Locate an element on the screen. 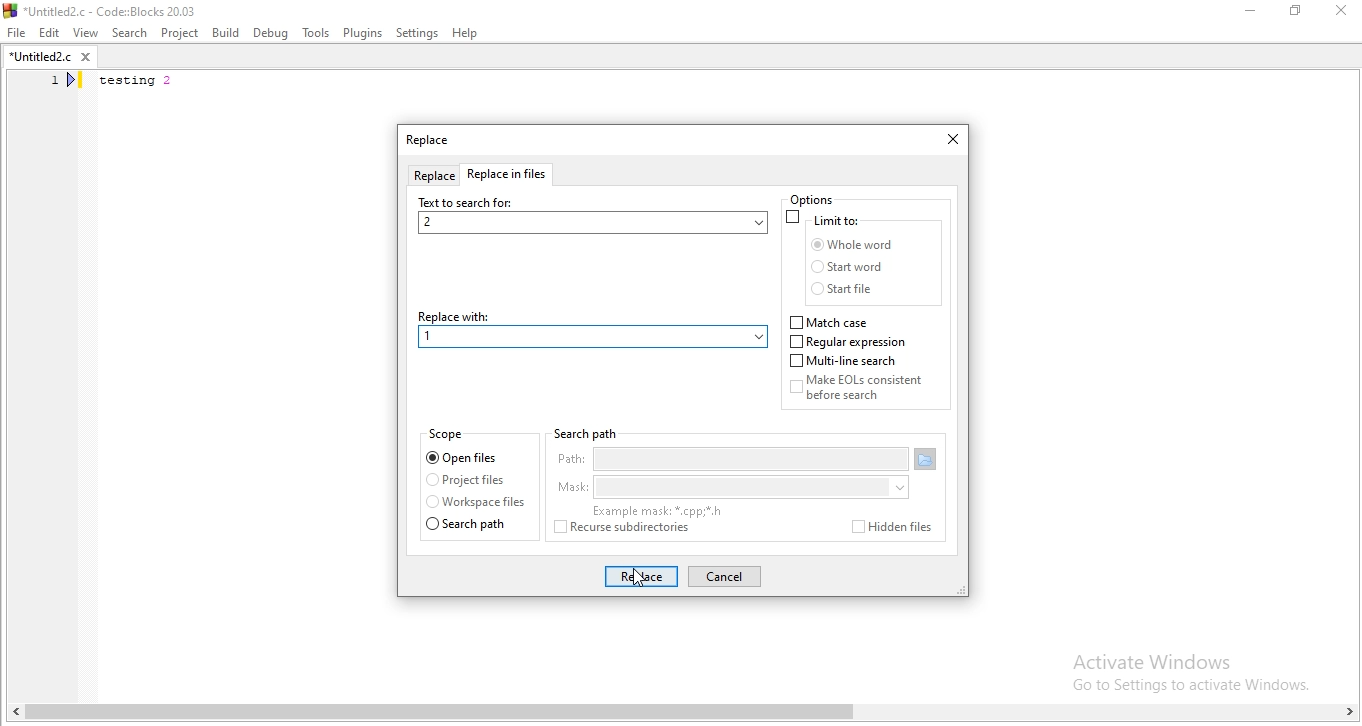 This screenshot has width=1362, height=726. 2 is located at coordinates (591, 223).